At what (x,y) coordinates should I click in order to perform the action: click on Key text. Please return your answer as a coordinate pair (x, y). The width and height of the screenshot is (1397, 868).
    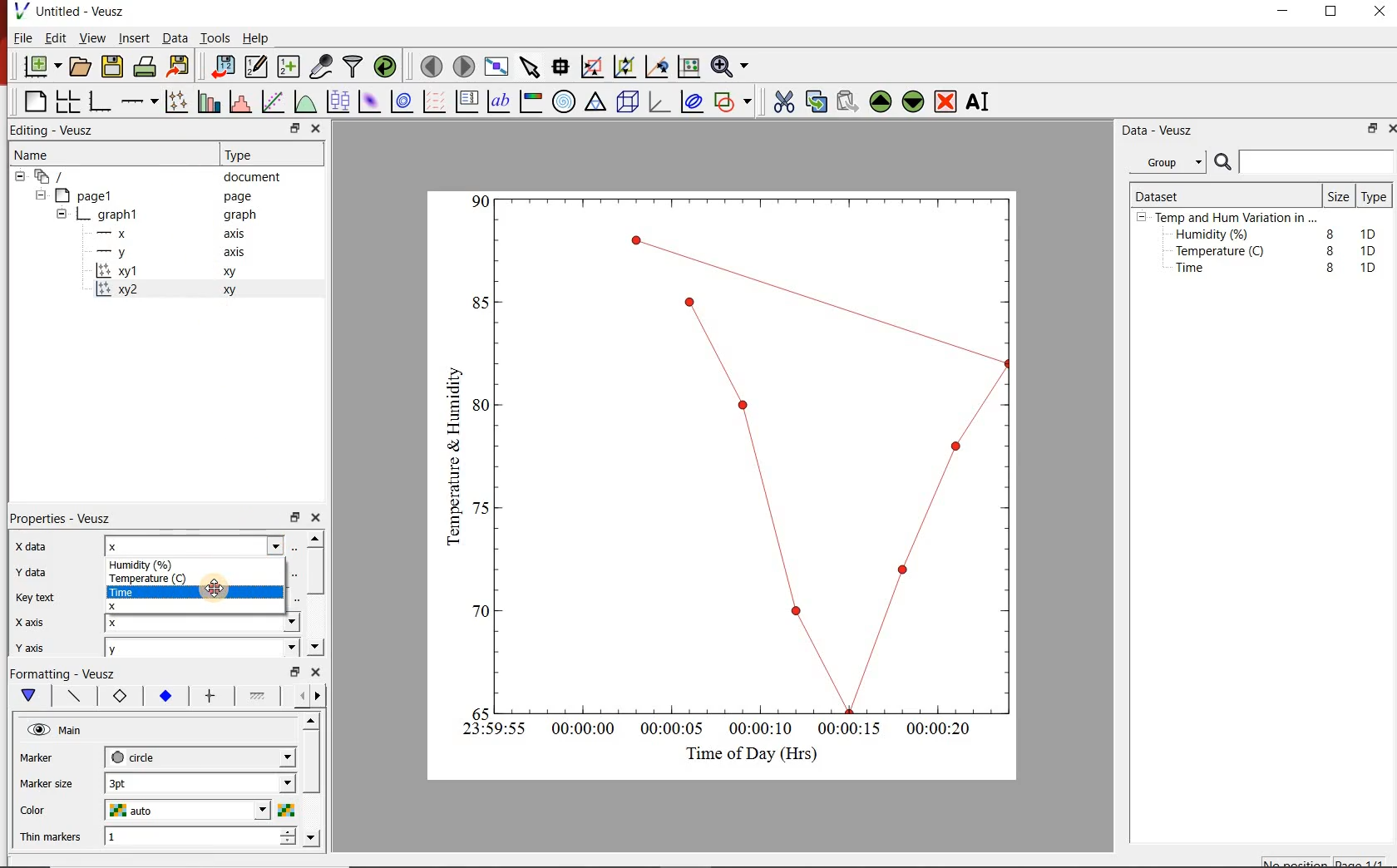
    Looking at the image, I should click on (42, 599).